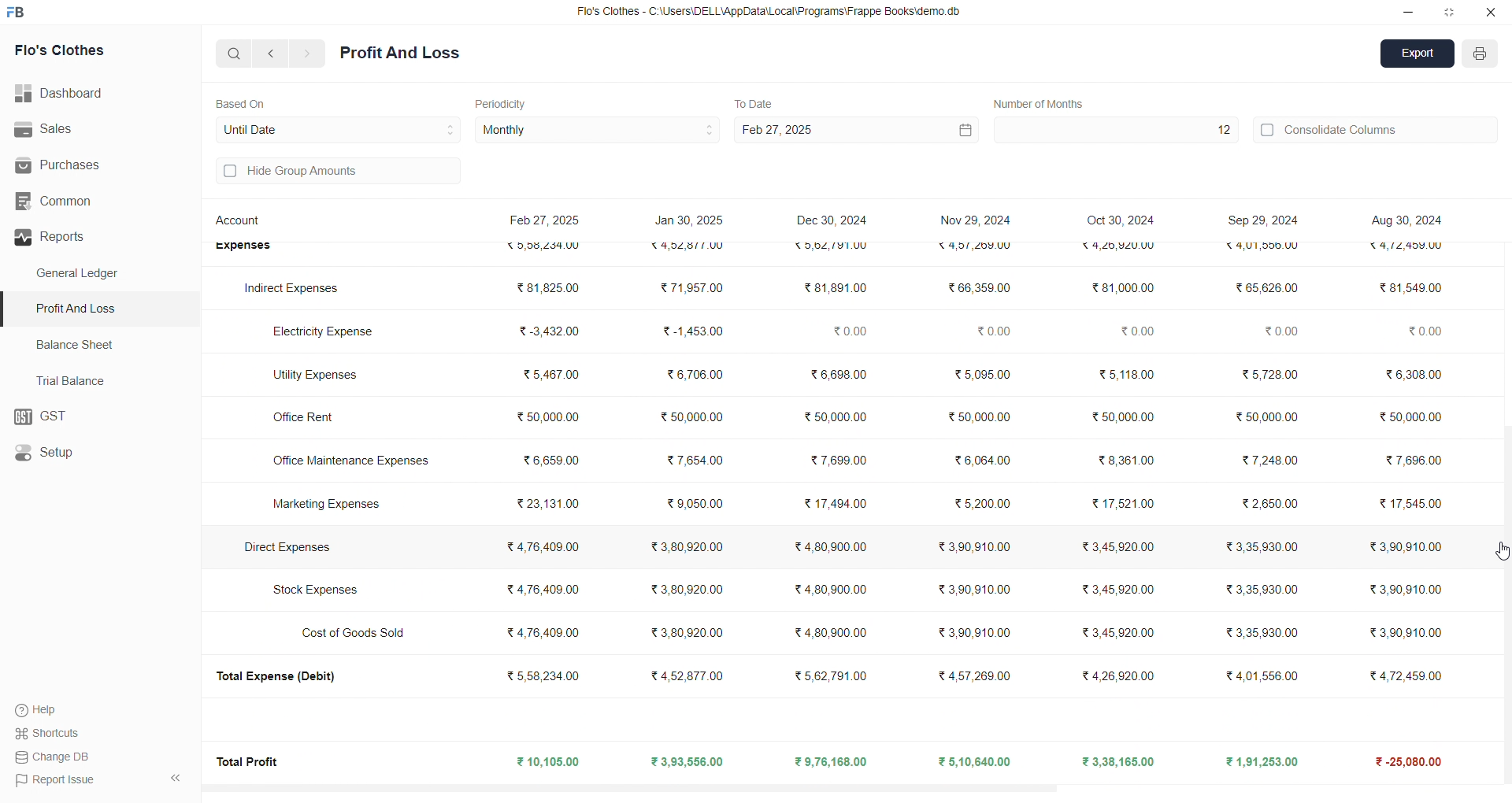 The height and width of the screenshot is (803, 1512). What do you see at coordinates (549, 246) in the screenshot?
I see `₹5,58,234.00` at bounding box center [549, 246].